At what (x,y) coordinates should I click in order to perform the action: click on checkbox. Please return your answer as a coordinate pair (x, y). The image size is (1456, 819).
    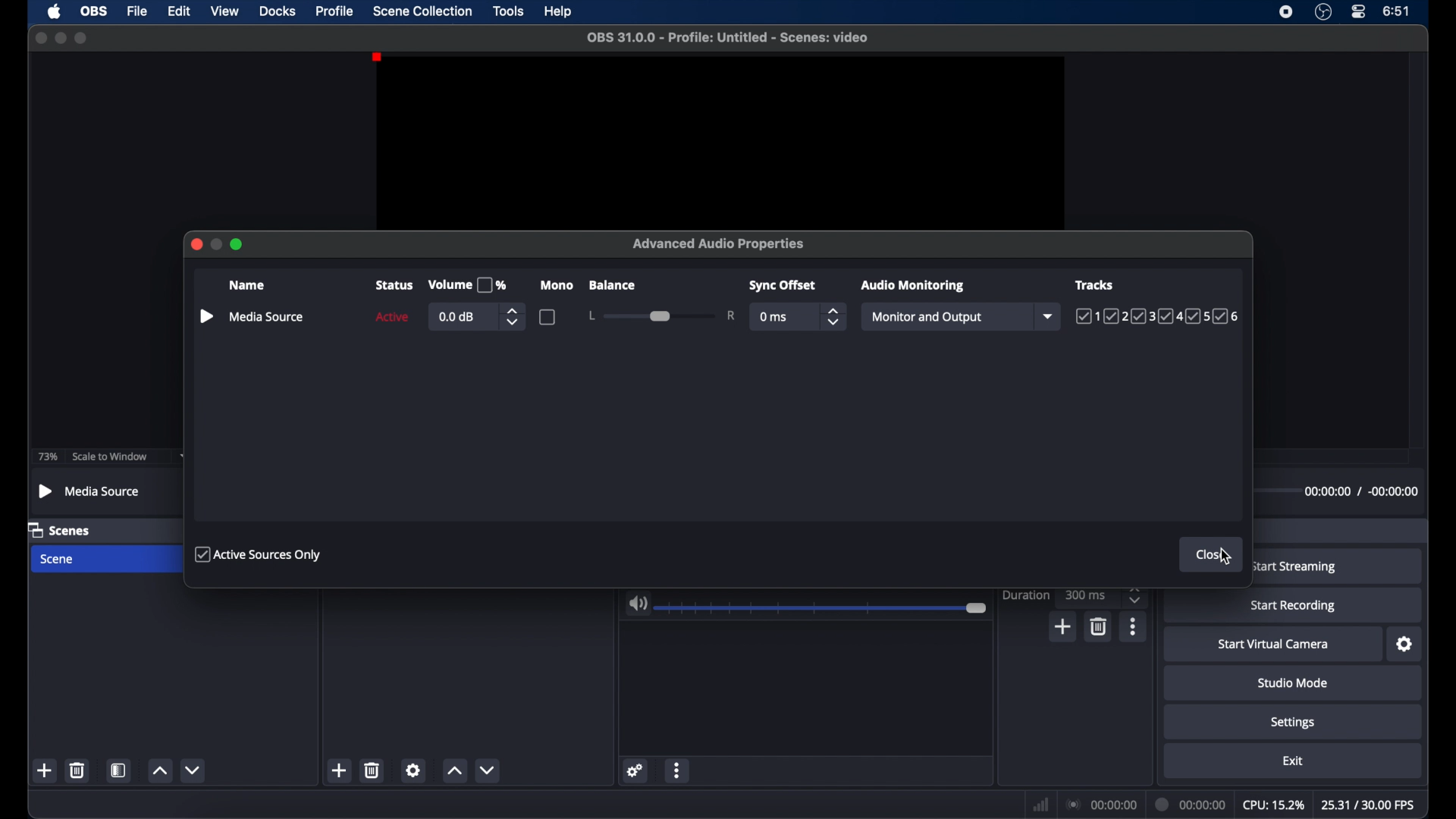
    Looking at the image, I should click on (548, 317).